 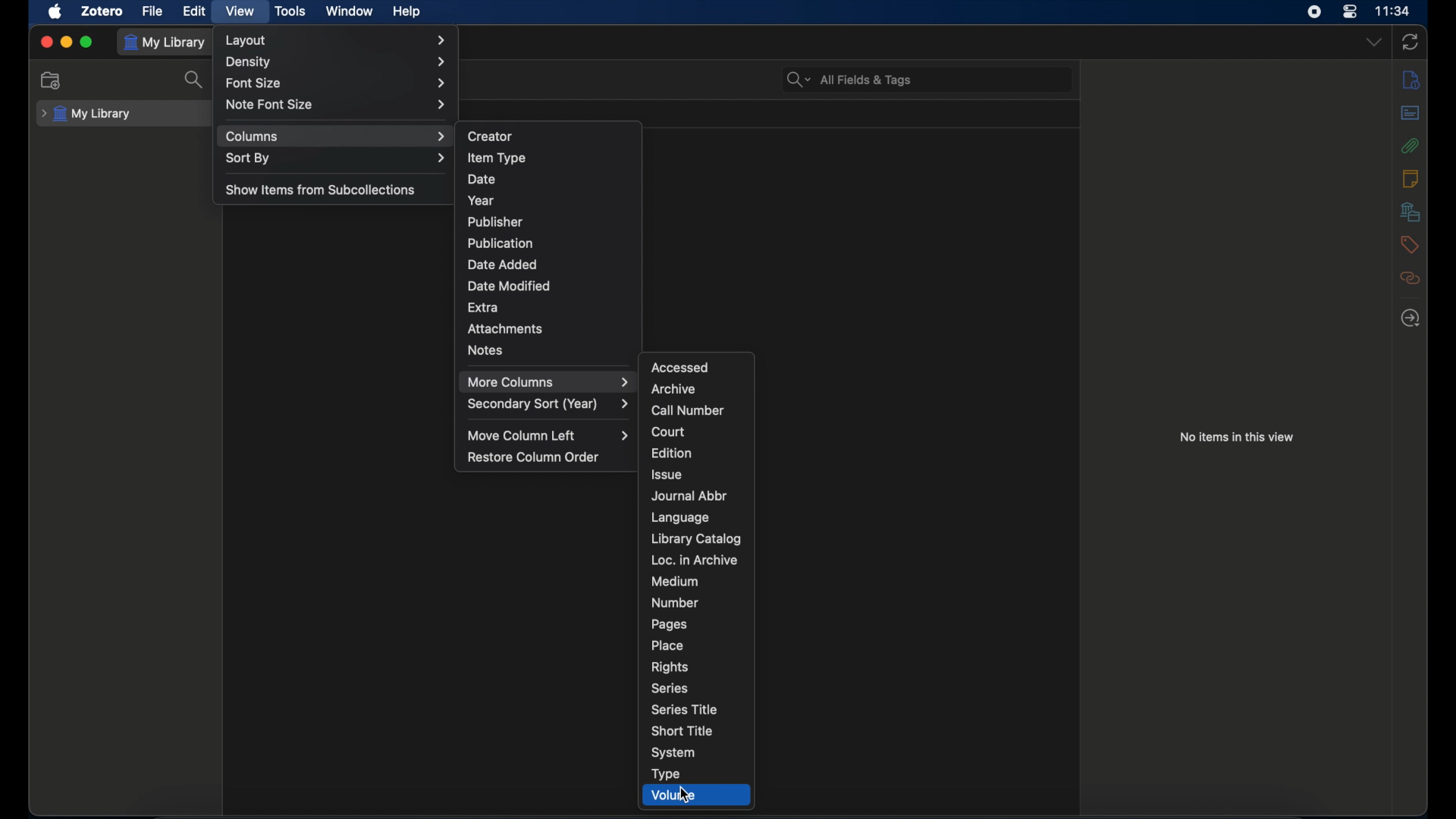 I want to click on ages, so click(x=670, y=624).